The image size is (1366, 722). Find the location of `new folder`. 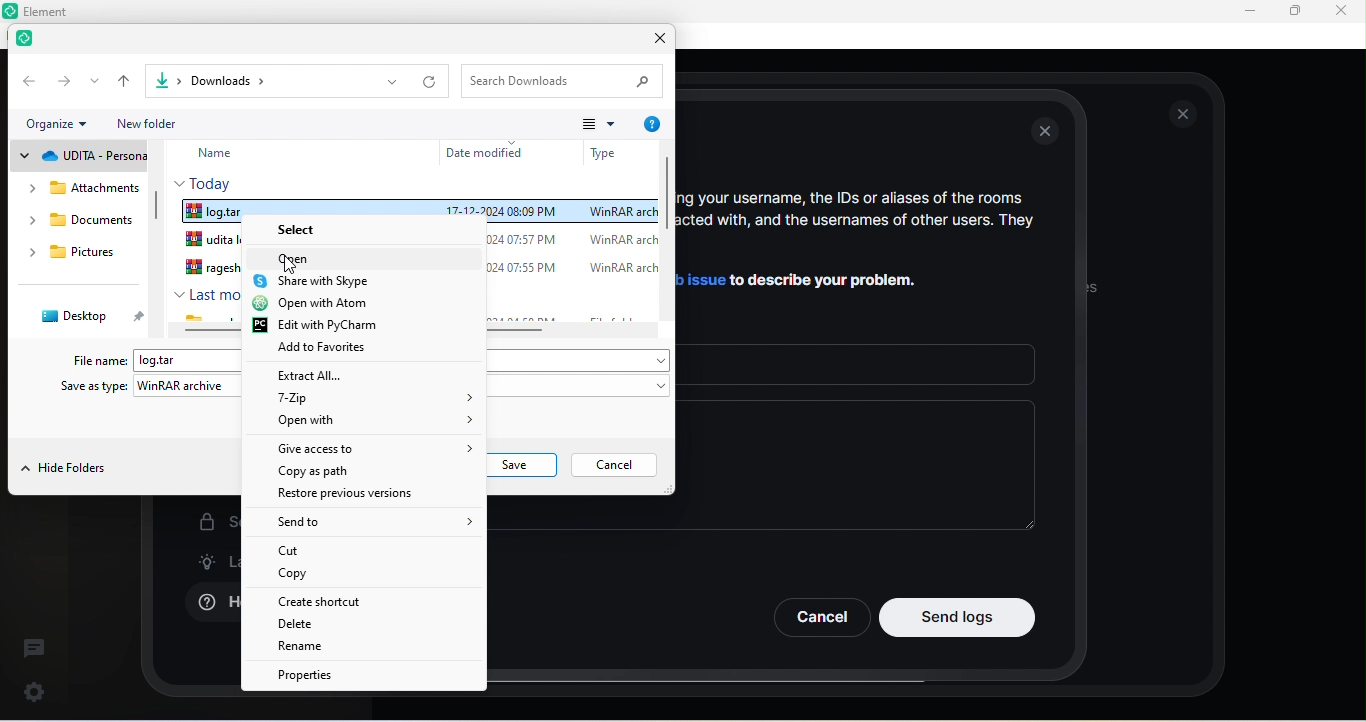

new folder is located at coordinates (161, 123).